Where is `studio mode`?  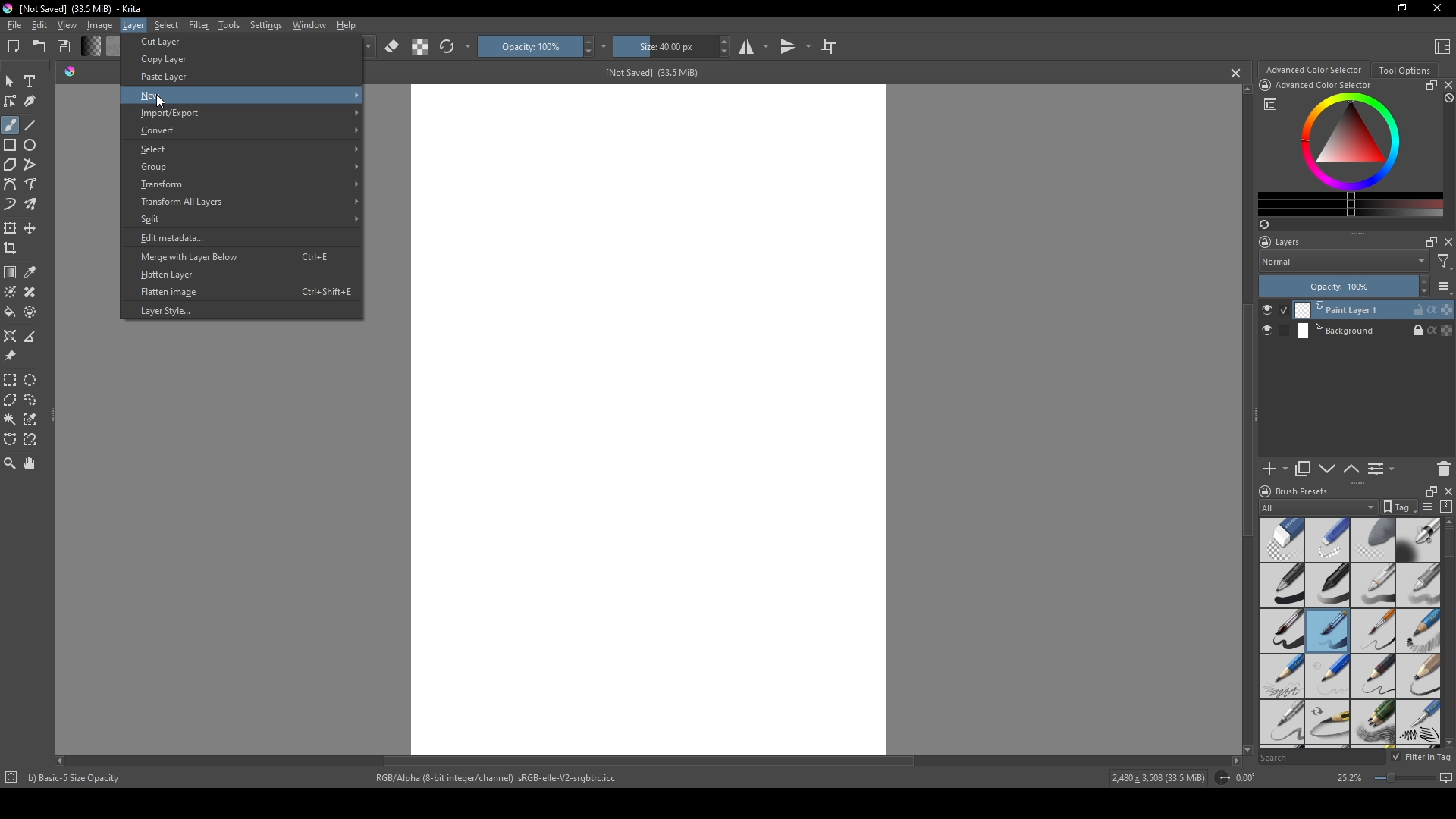
studio mode is located at coordinates (754, 46).